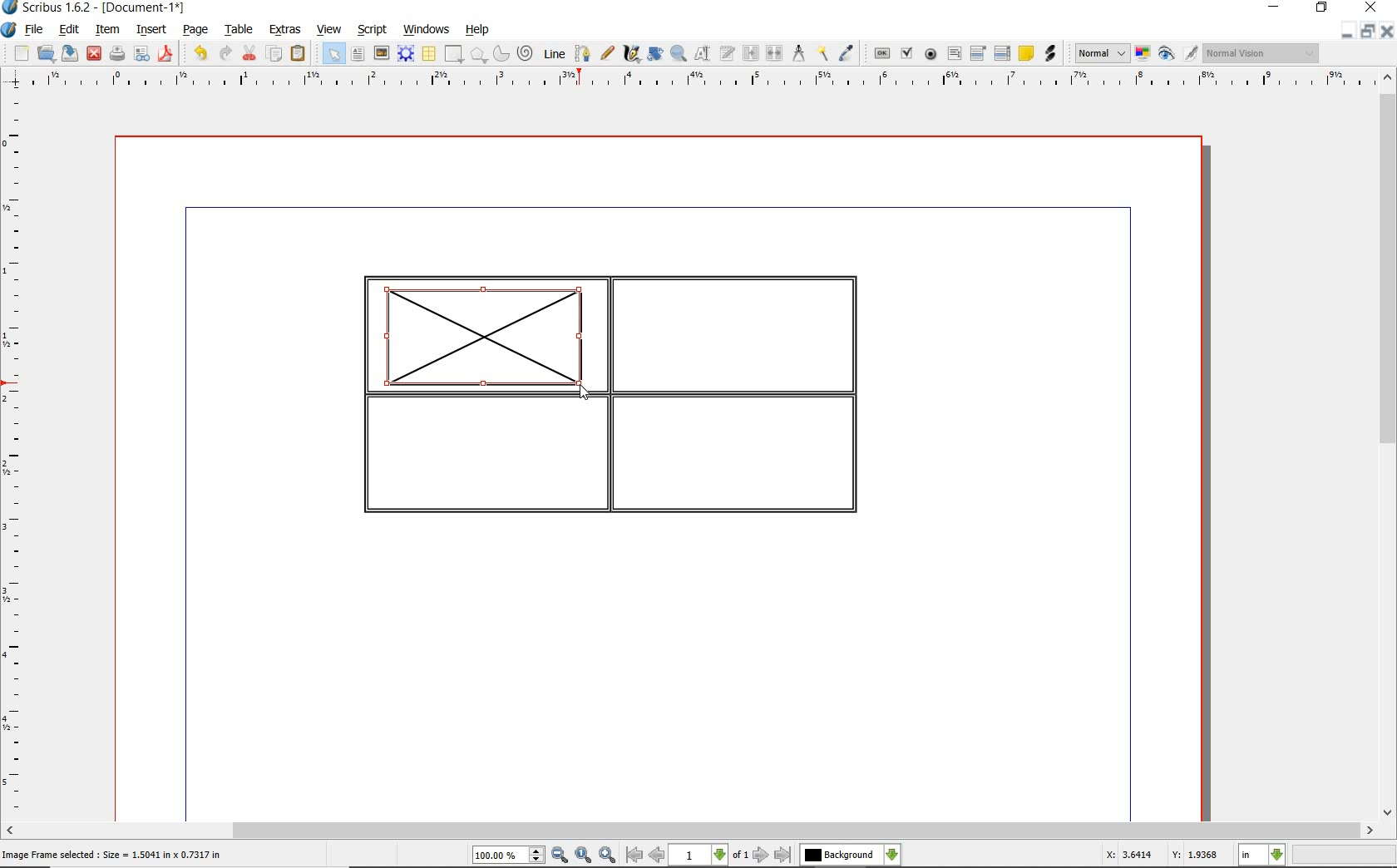 Image resolution: width=1397 pixels, height=868 pixels. I want to click on minimize, so click(1345, 32).